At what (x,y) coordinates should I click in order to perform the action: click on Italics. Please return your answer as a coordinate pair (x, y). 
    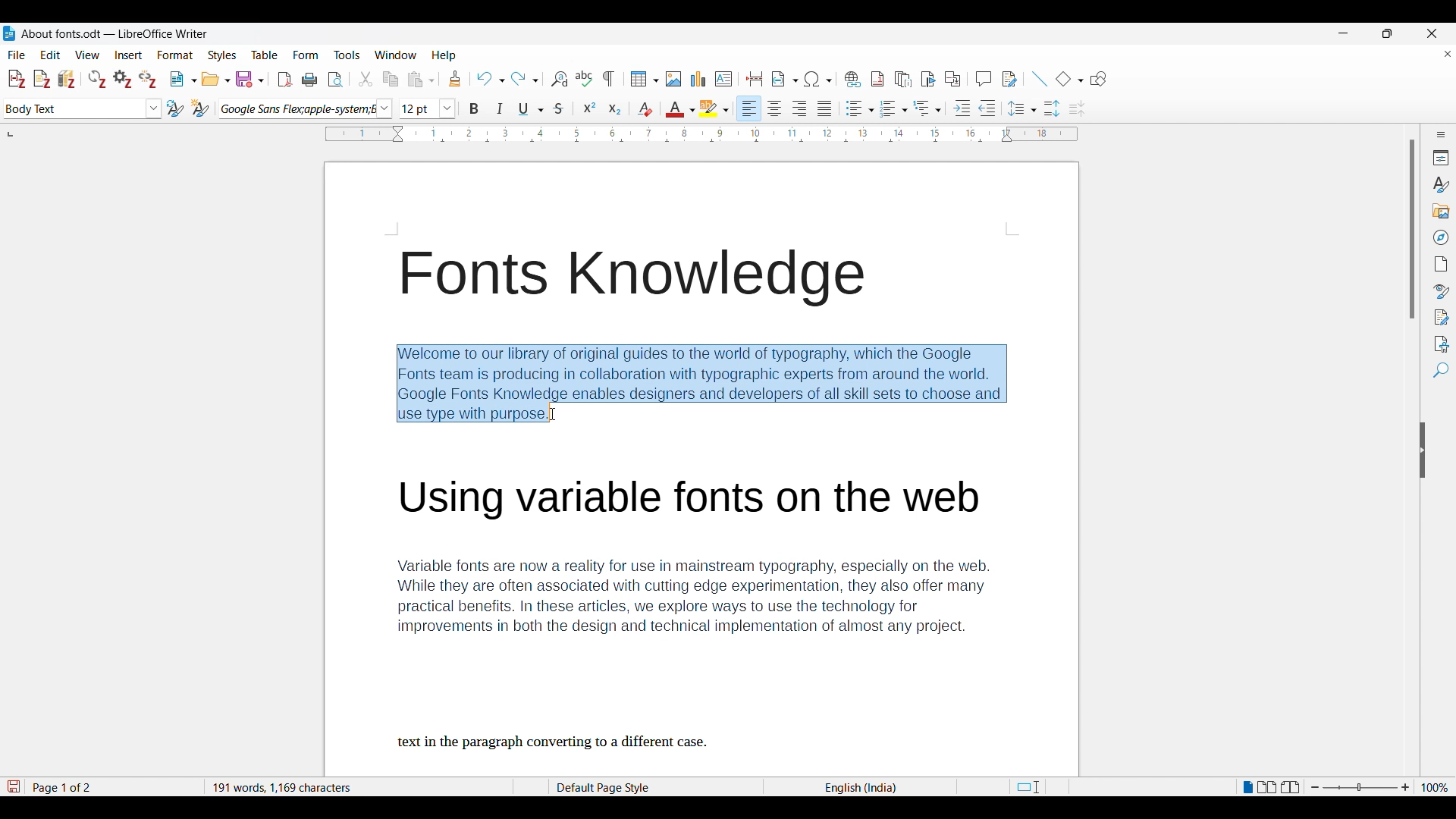
    Looking at the image, I should click on (500, 108).